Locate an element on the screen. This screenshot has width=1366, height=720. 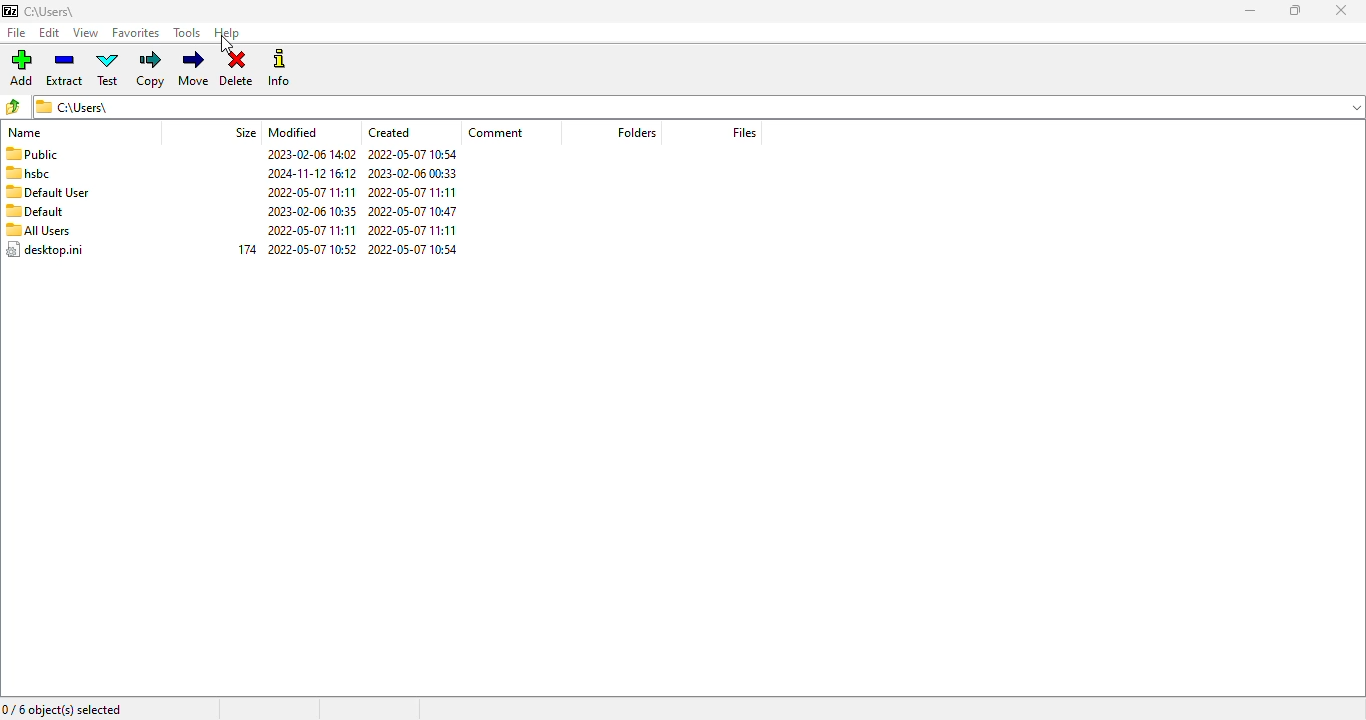
browse folders is located at coordinates (13, 107).